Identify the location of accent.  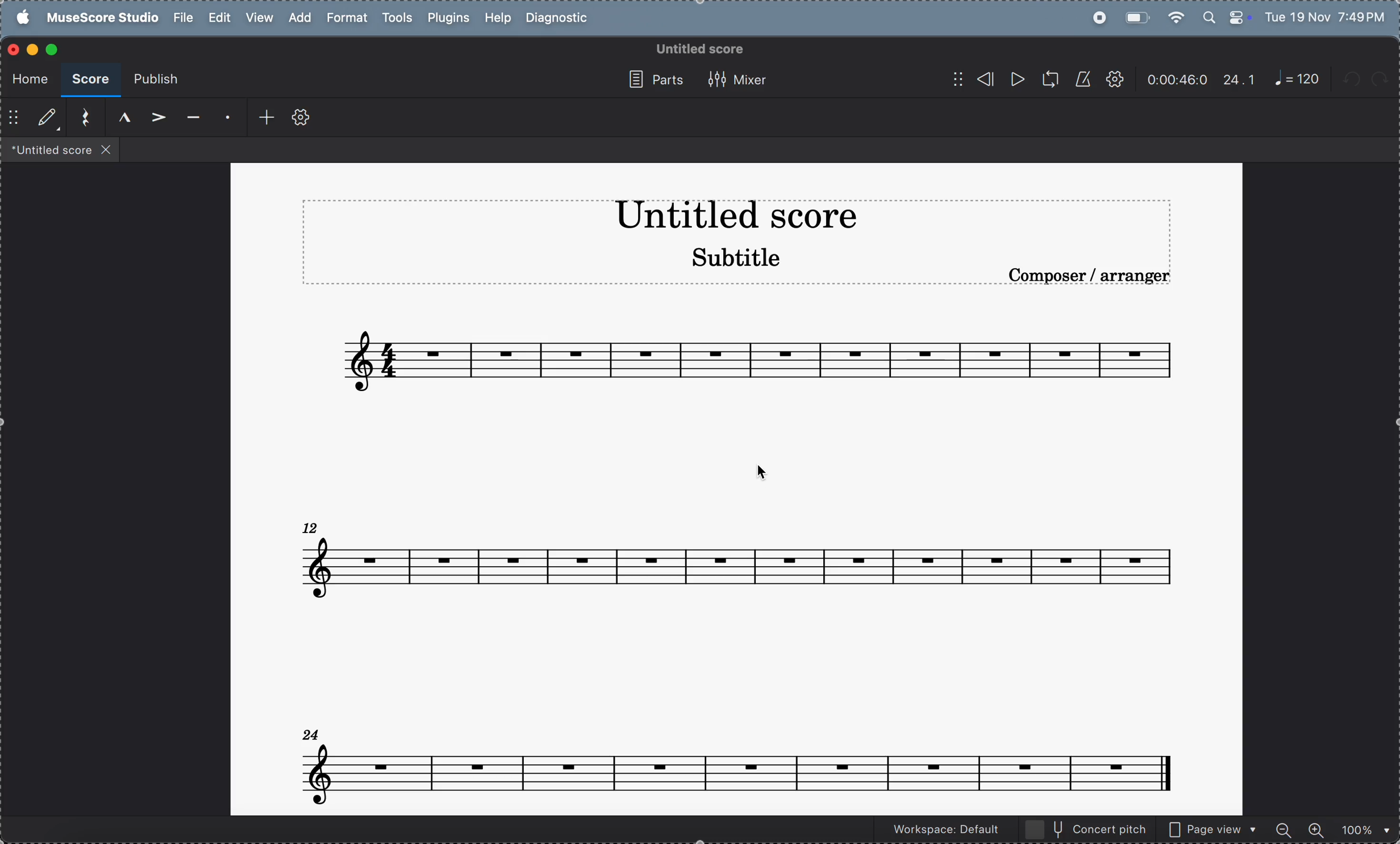
(155, 118).